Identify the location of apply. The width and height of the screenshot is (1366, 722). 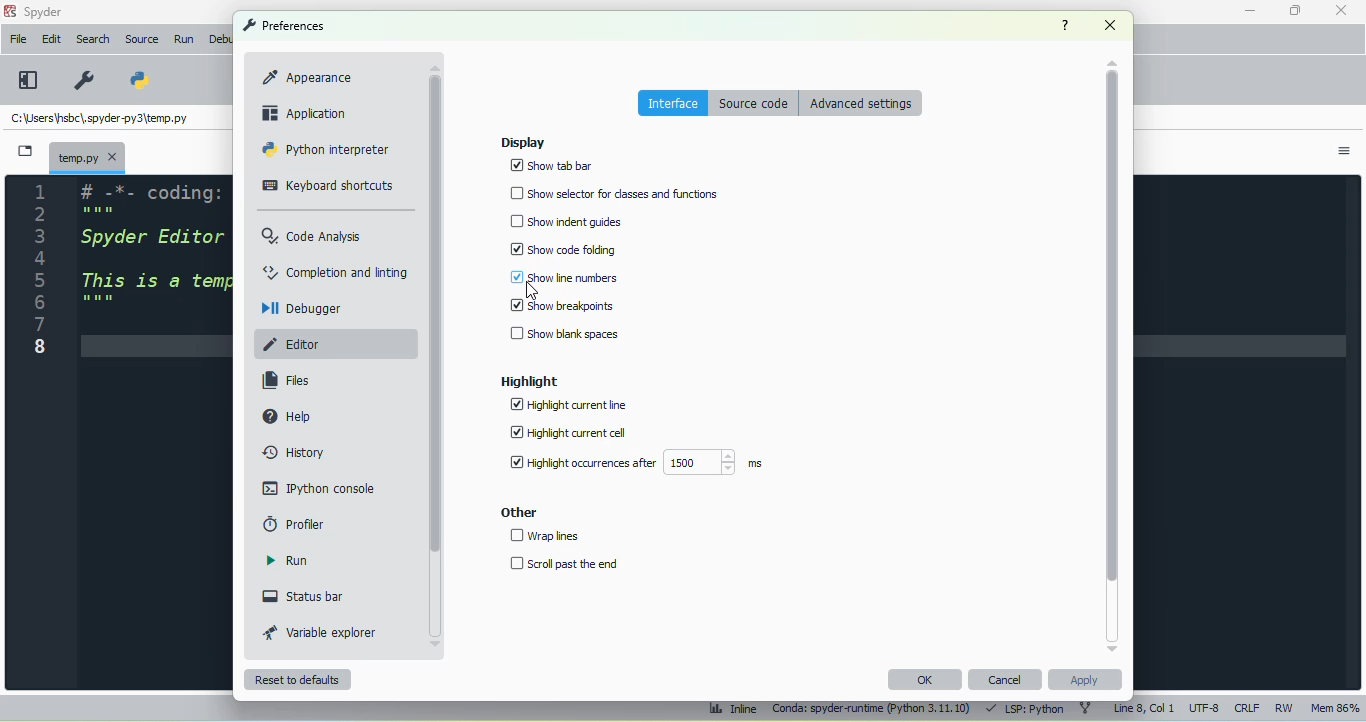
(1084, 680).